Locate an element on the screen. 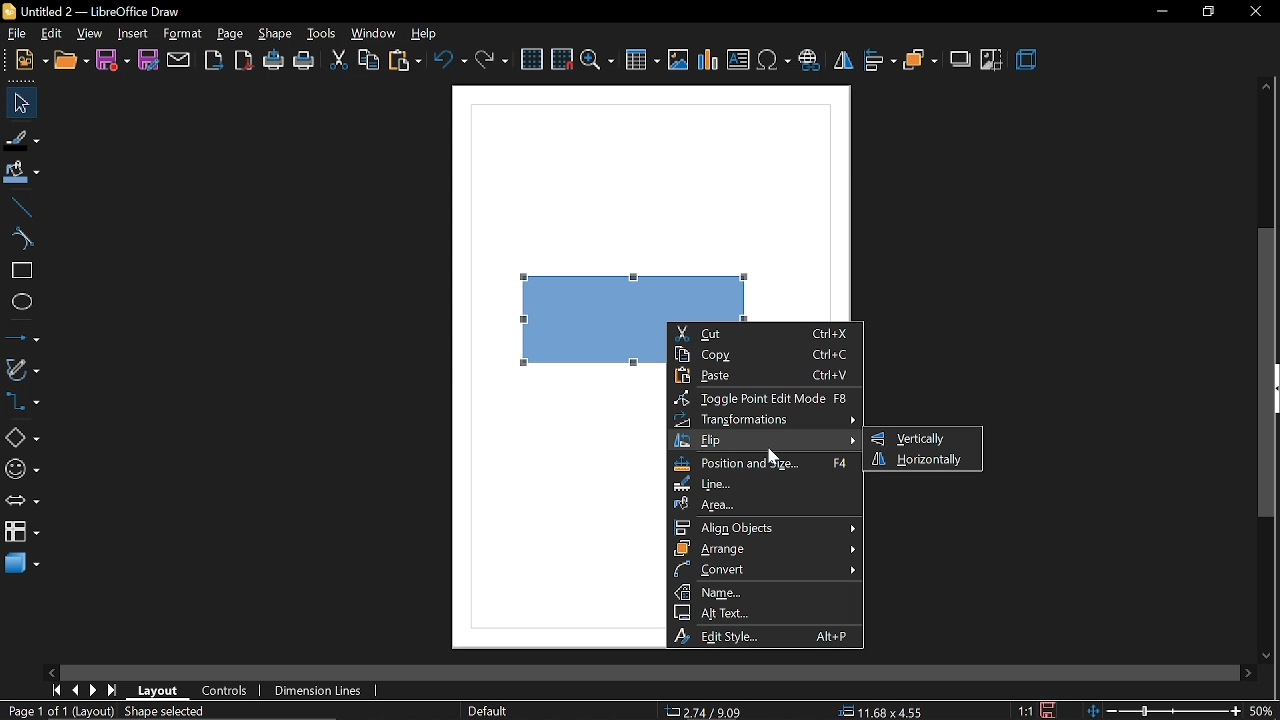 The image size is (1280, 720). Page 1 of (layout) is located at coordinates (57, 713).